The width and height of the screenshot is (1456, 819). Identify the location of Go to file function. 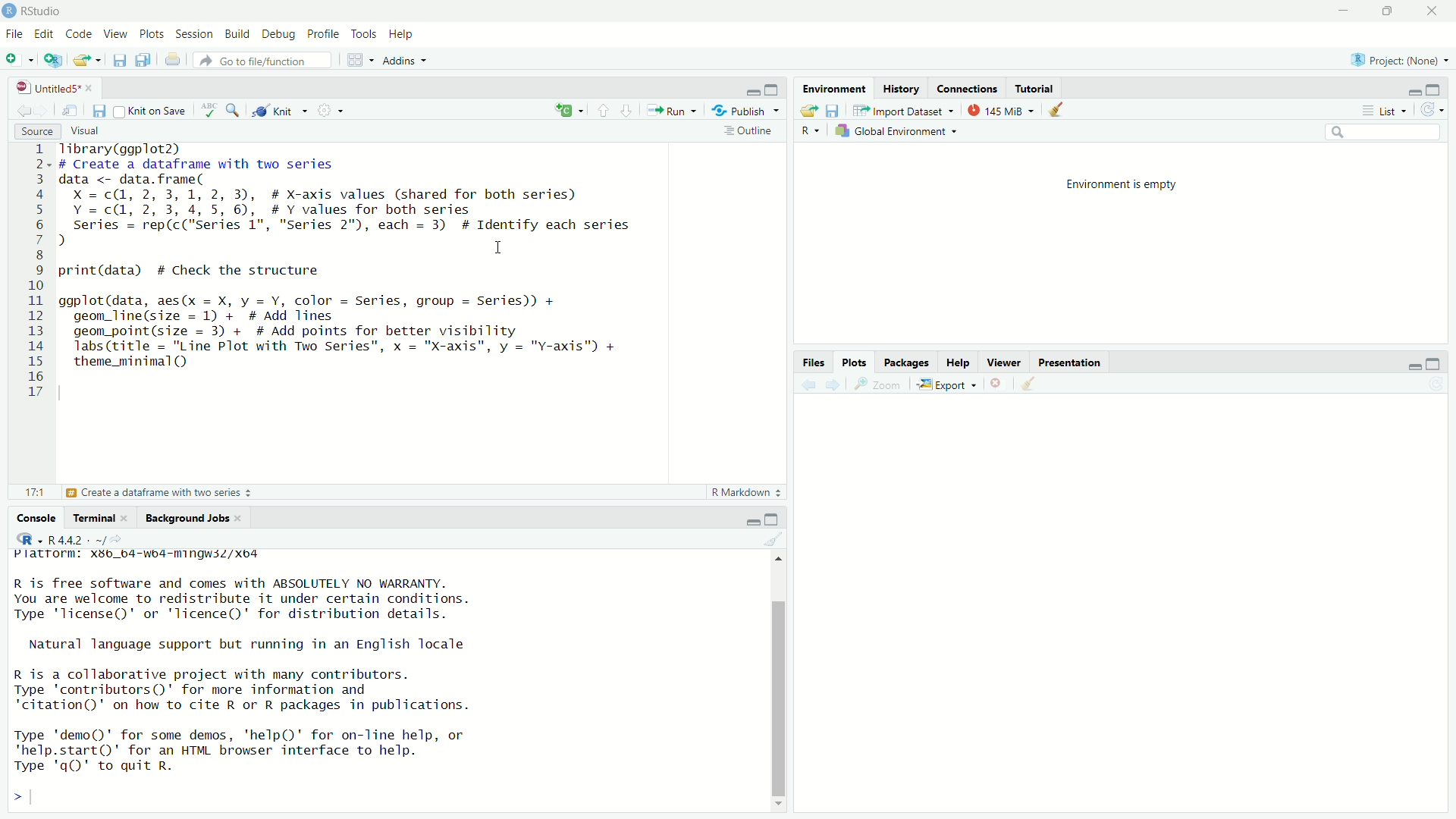
(264, 60).